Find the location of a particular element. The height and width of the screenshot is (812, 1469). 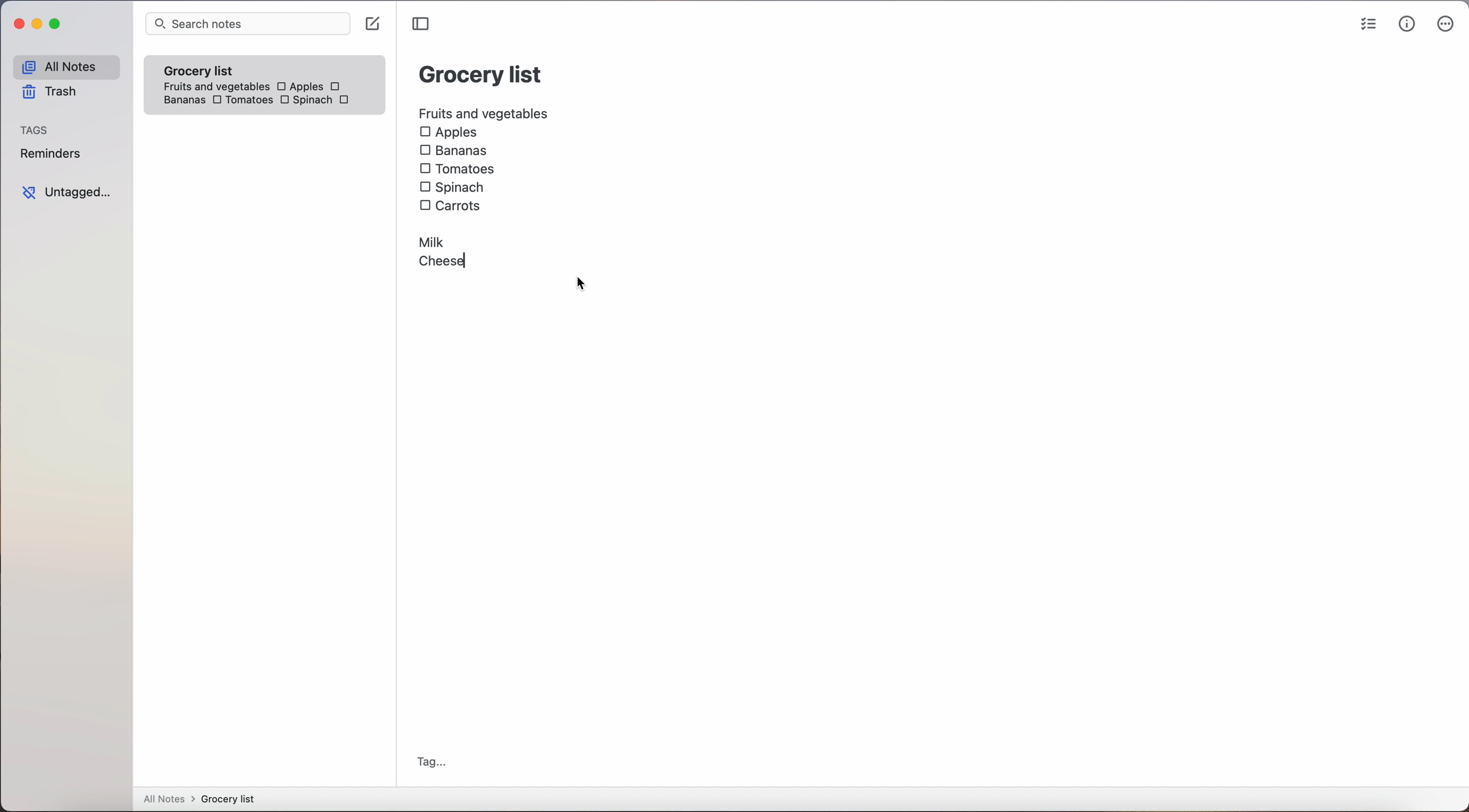

trash is located at coordinates (48, 94).